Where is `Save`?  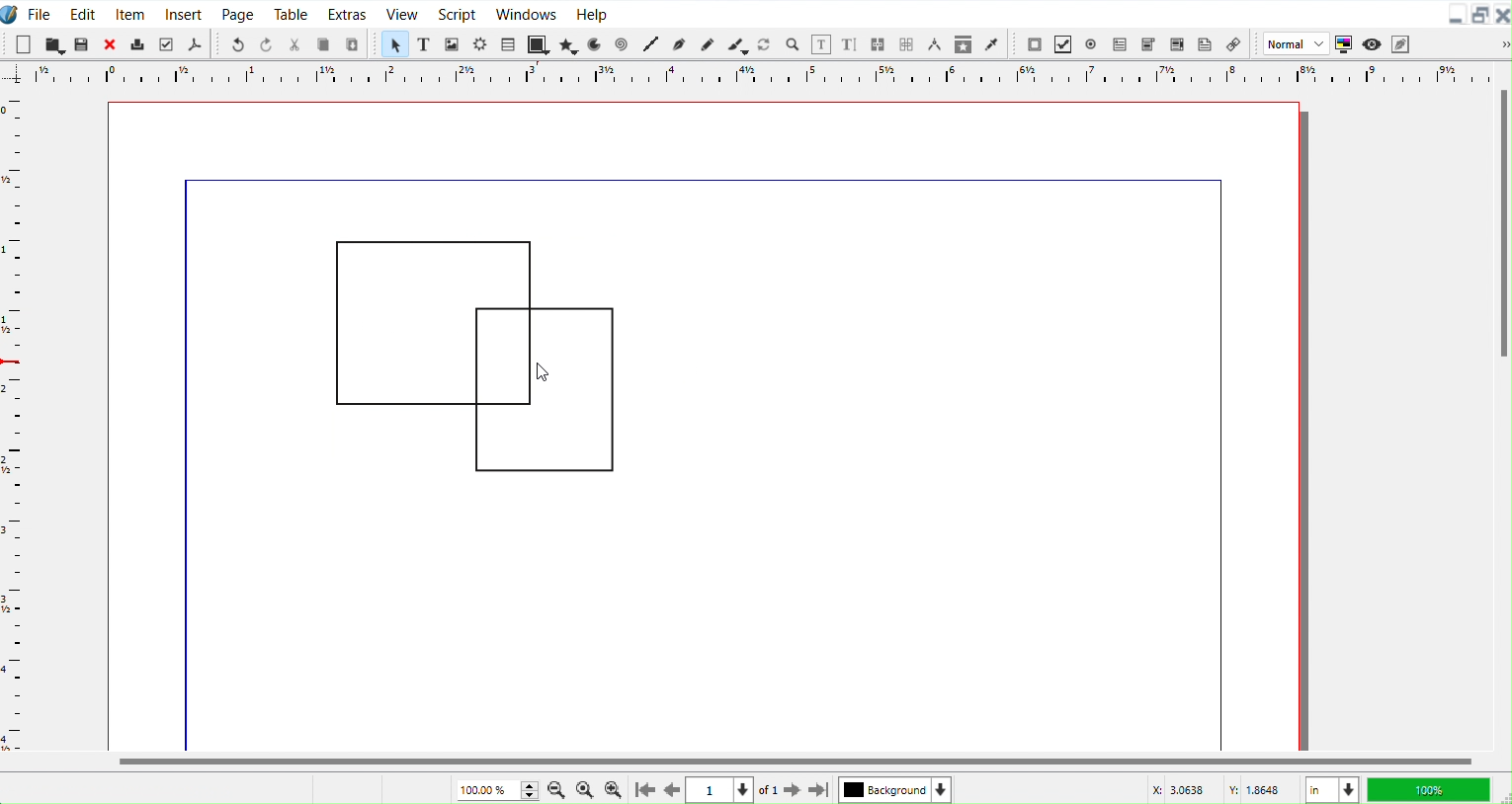 Save is located at coordinates (82, 42).